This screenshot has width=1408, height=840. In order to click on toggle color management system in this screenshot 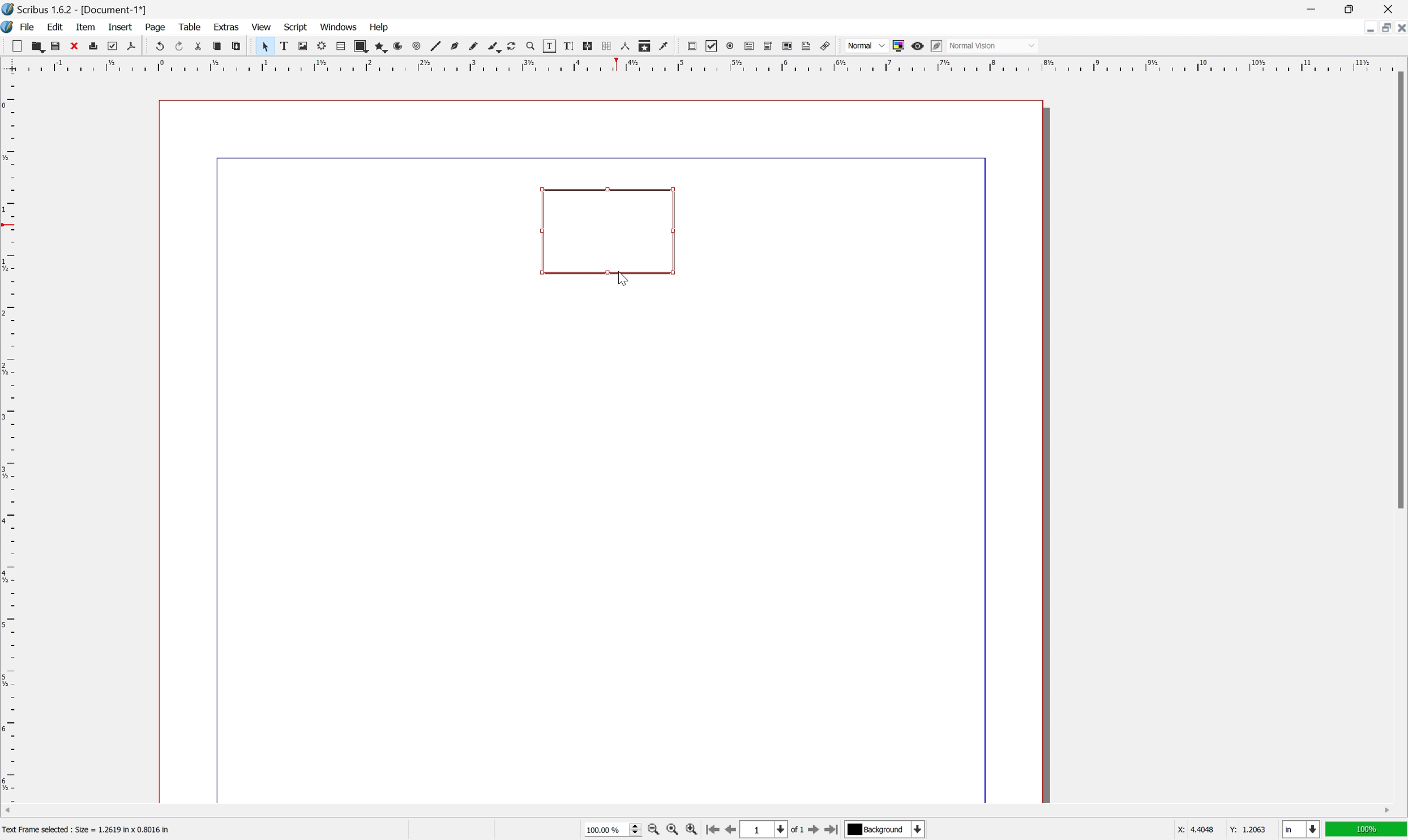, I will do `click(898, 45)`.